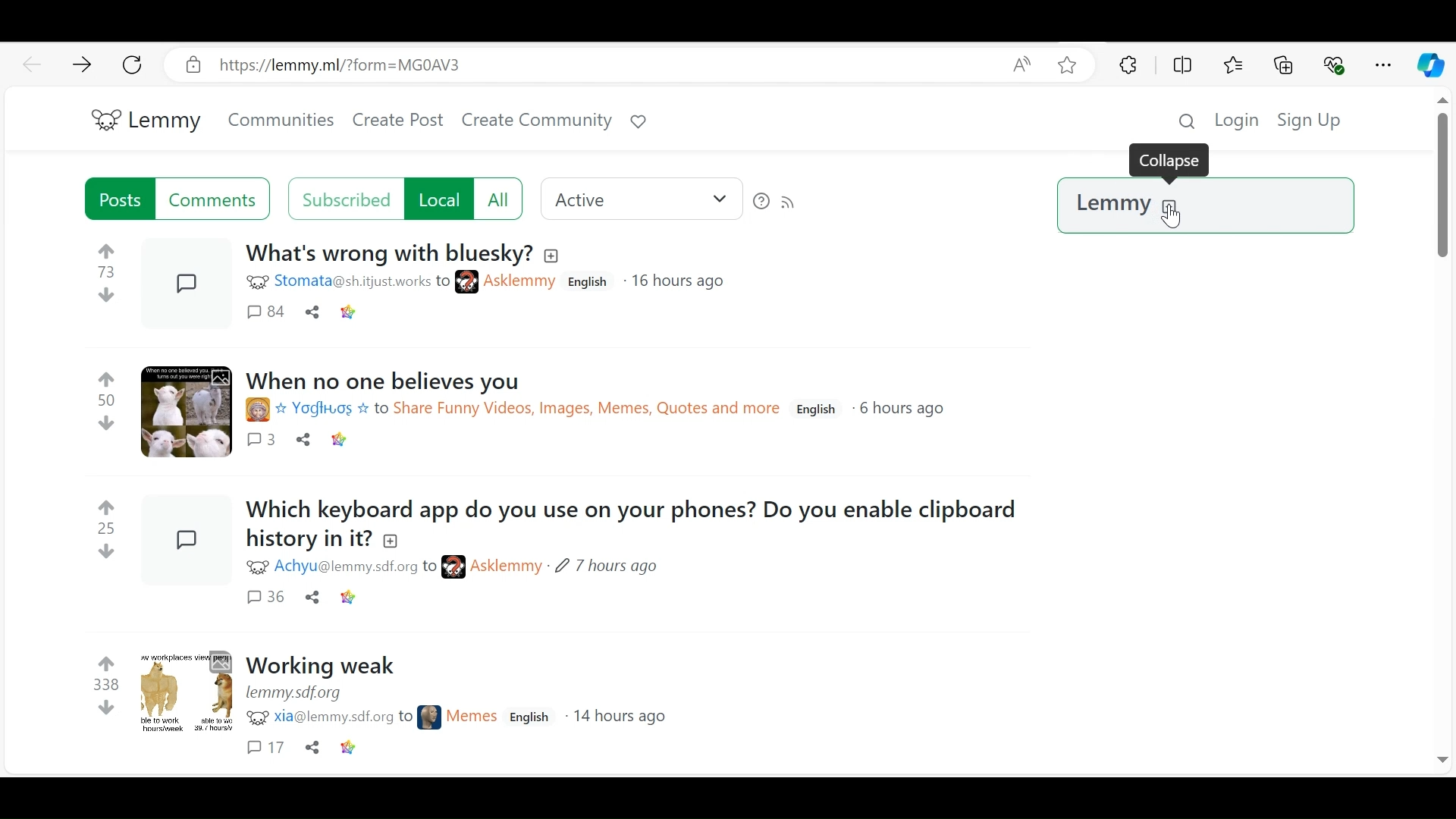 The width and height of the screenshot is (1456, 819). What do you see at coordinates (642, 200) in the screenshot?
I see `active` at bounding box center [642, 200].